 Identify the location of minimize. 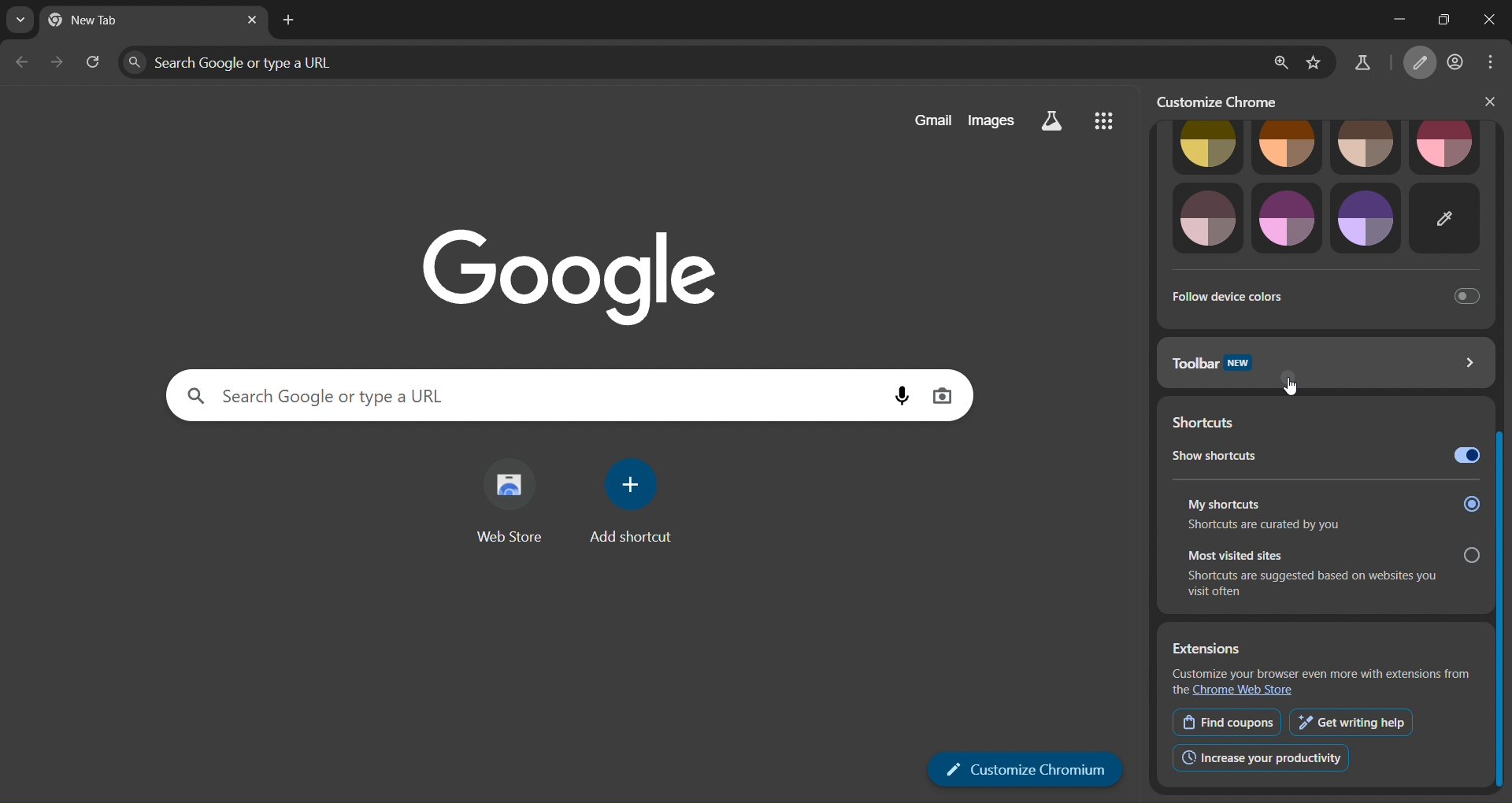
(1382, 20).